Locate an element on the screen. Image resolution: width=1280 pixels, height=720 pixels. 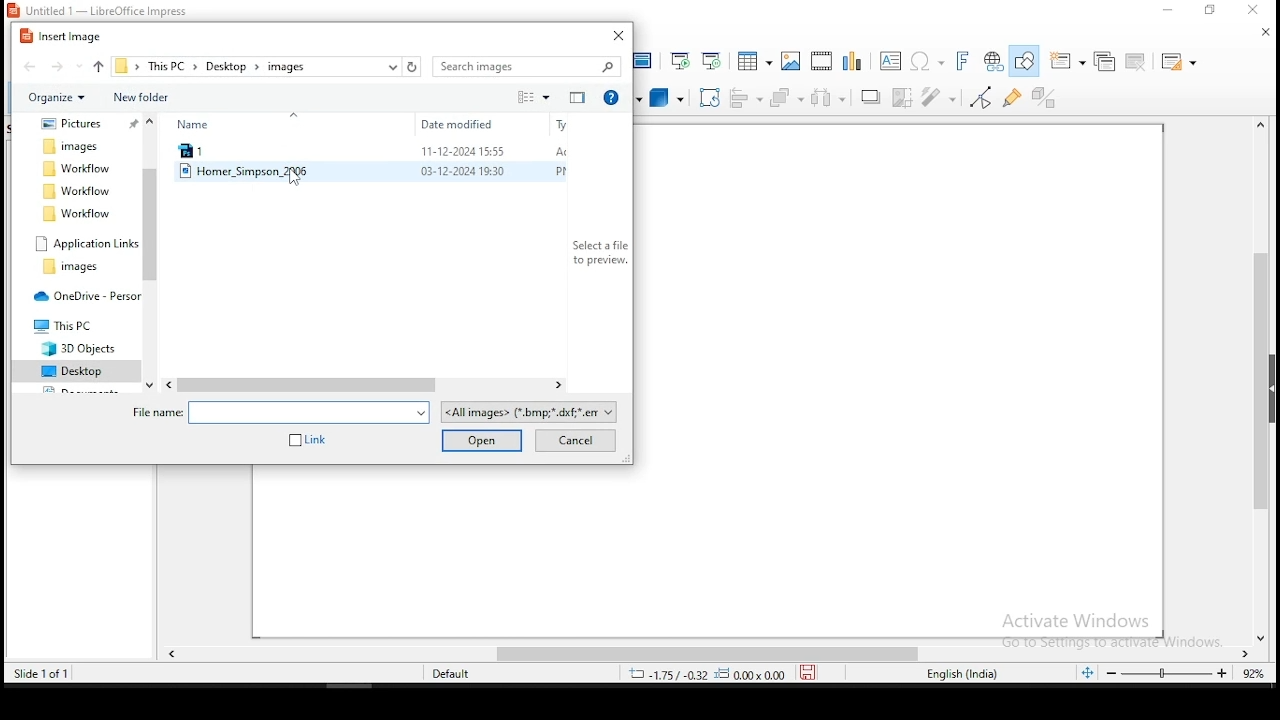
images is located at coordinates (286, 68).